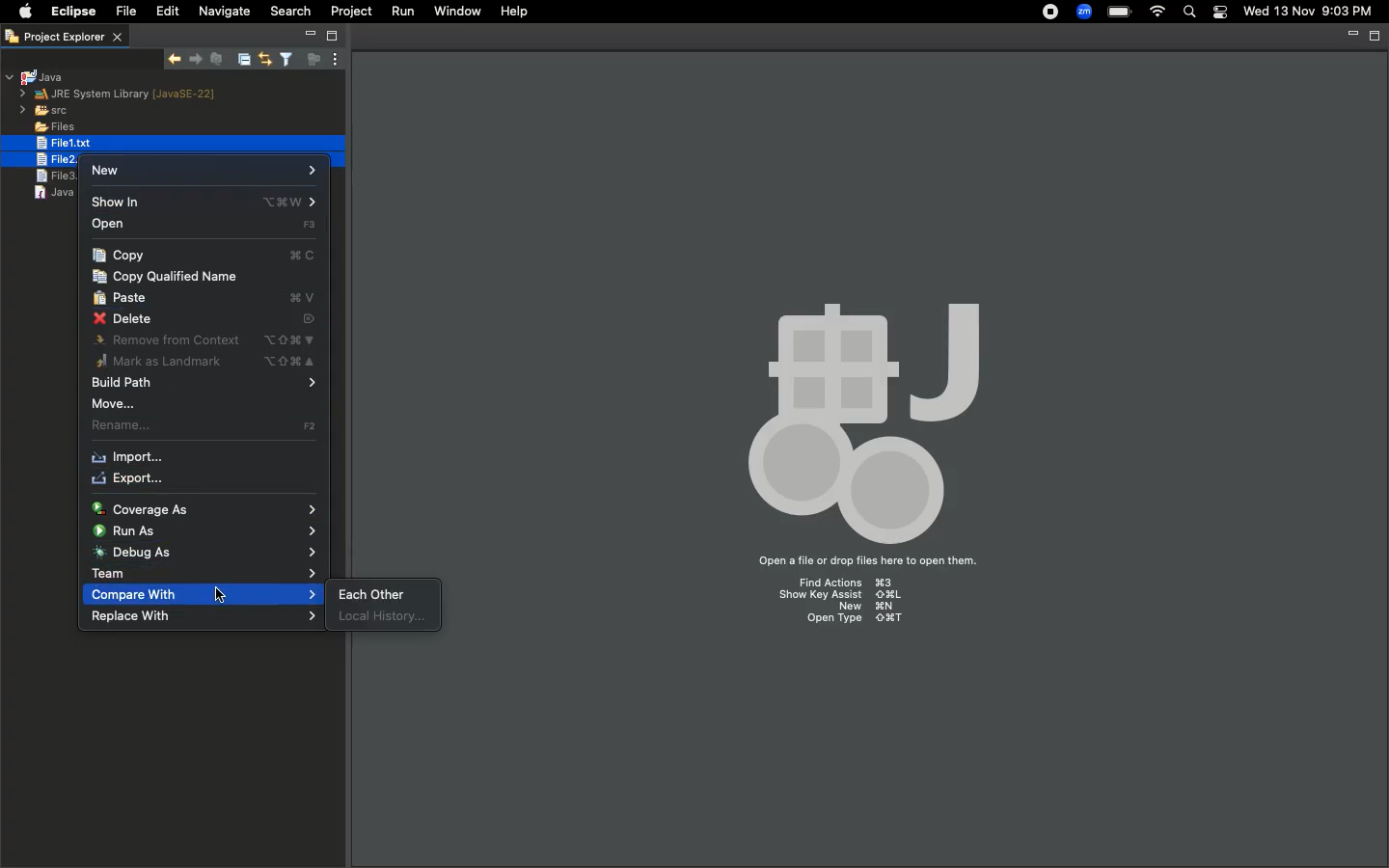 The height and width of the screenshot is (868, 1389). Describe the element at coordinates (865, 562) in the screenshot. I see `Open a file or drop files here` at that location.